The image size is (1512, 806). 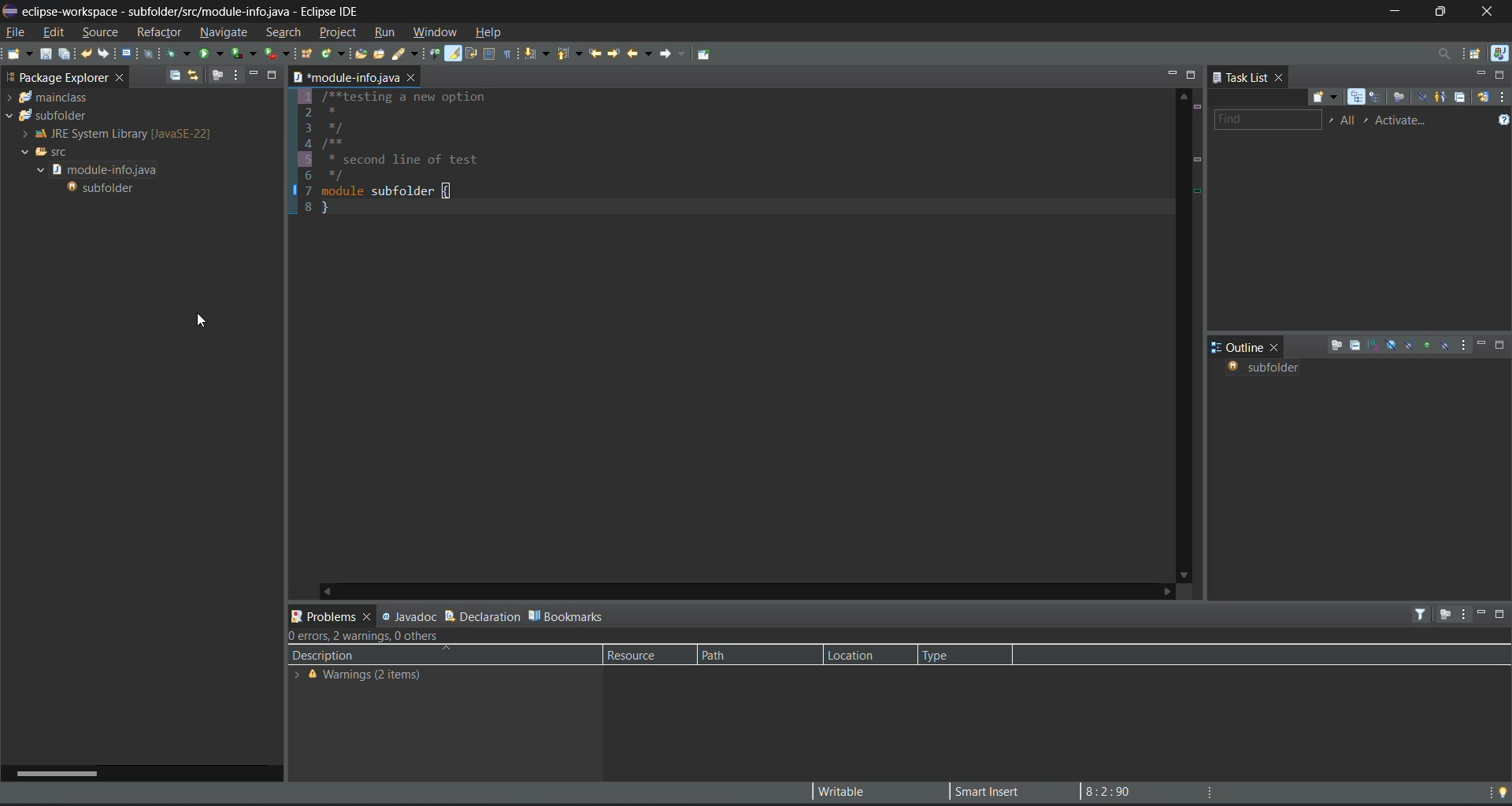 What do you see at coordinates (273, 74) in the screenshot?
I see `maximize` at bounding box center [273, 74].